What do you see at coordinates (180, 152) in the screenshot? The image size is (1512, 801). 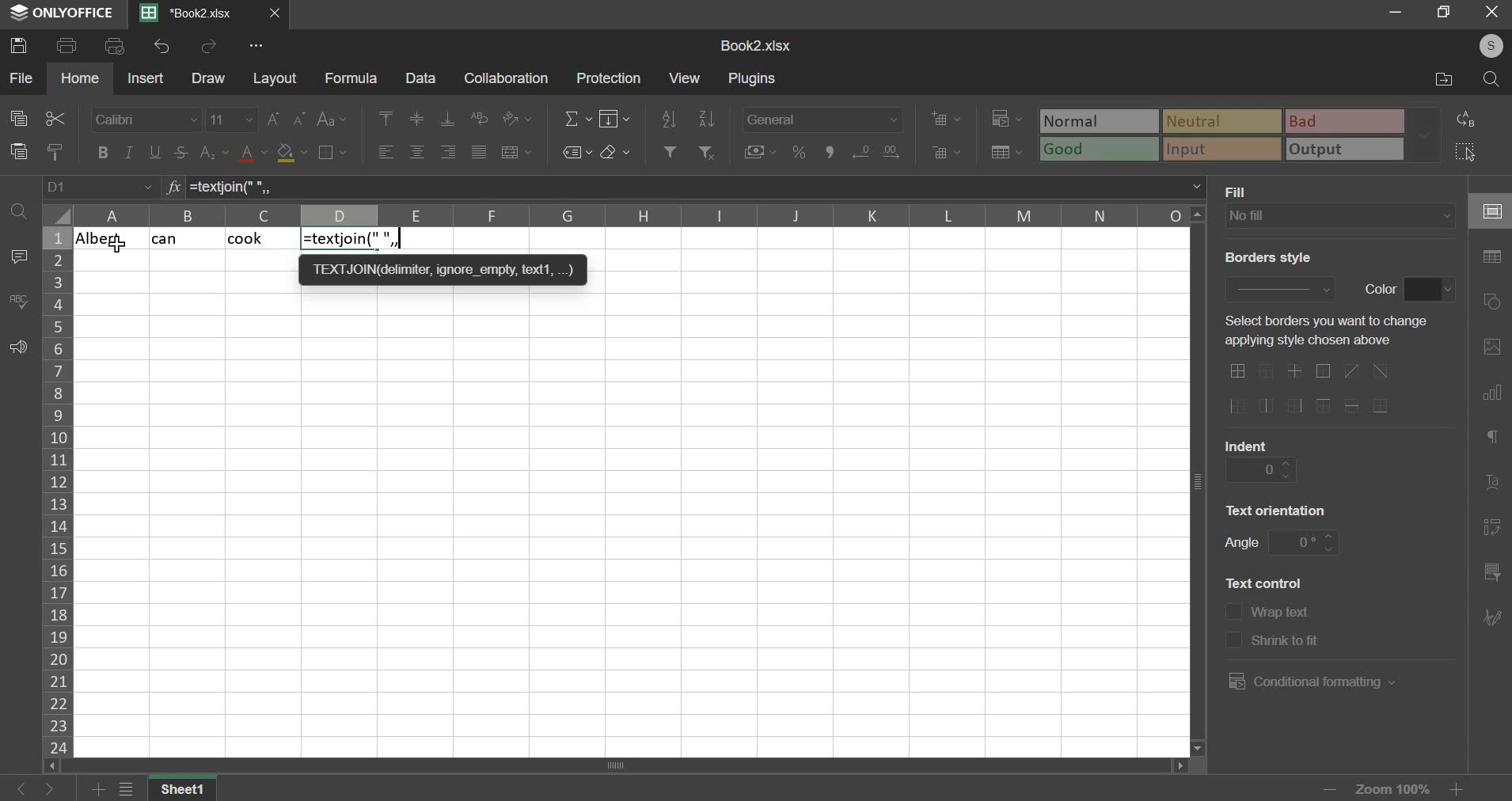 I see `strikethrough` at bounding box center [180, 152].